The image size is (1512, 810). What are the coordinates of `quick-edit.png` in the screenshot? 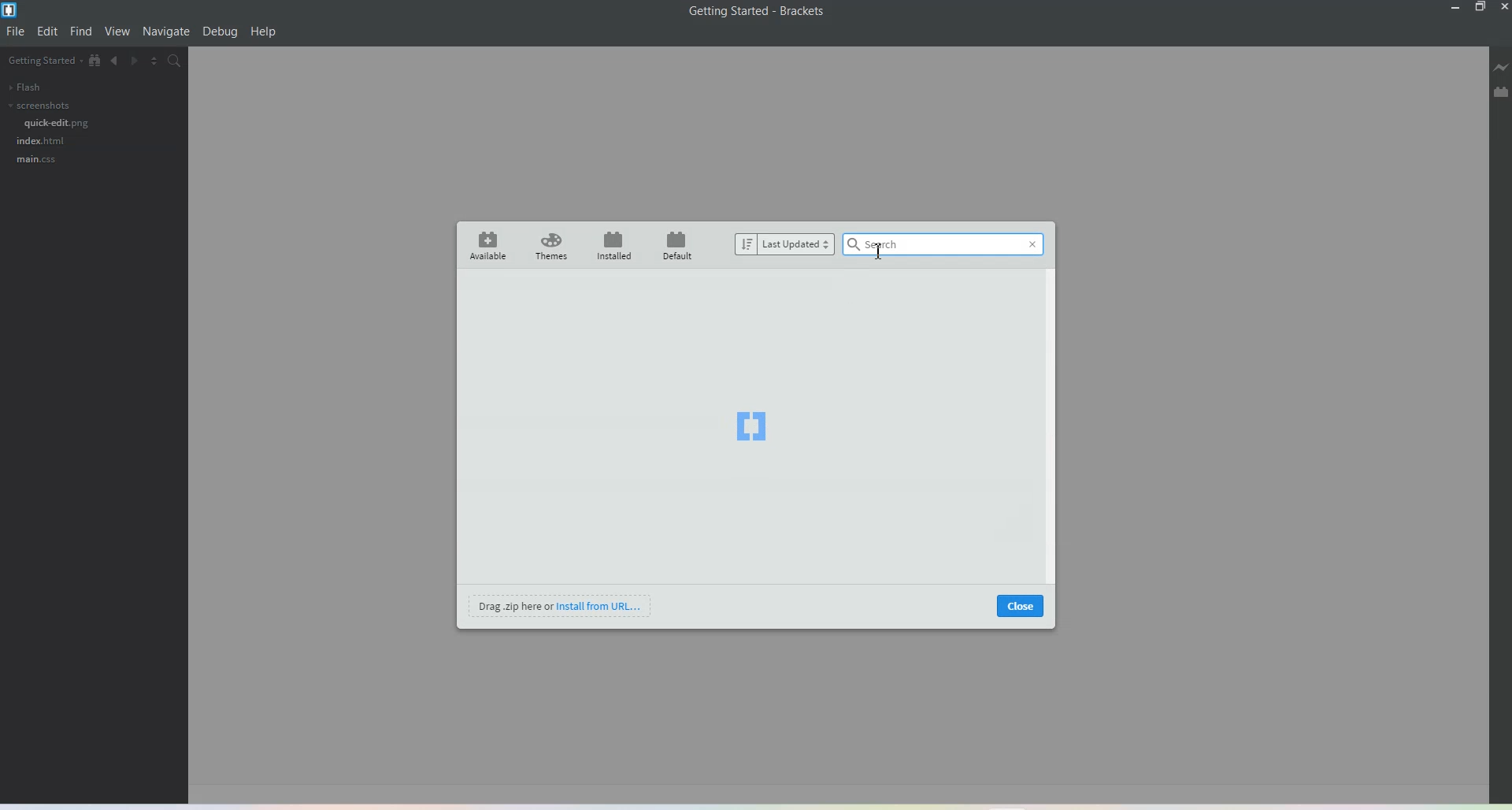 It's located at (57, 123).